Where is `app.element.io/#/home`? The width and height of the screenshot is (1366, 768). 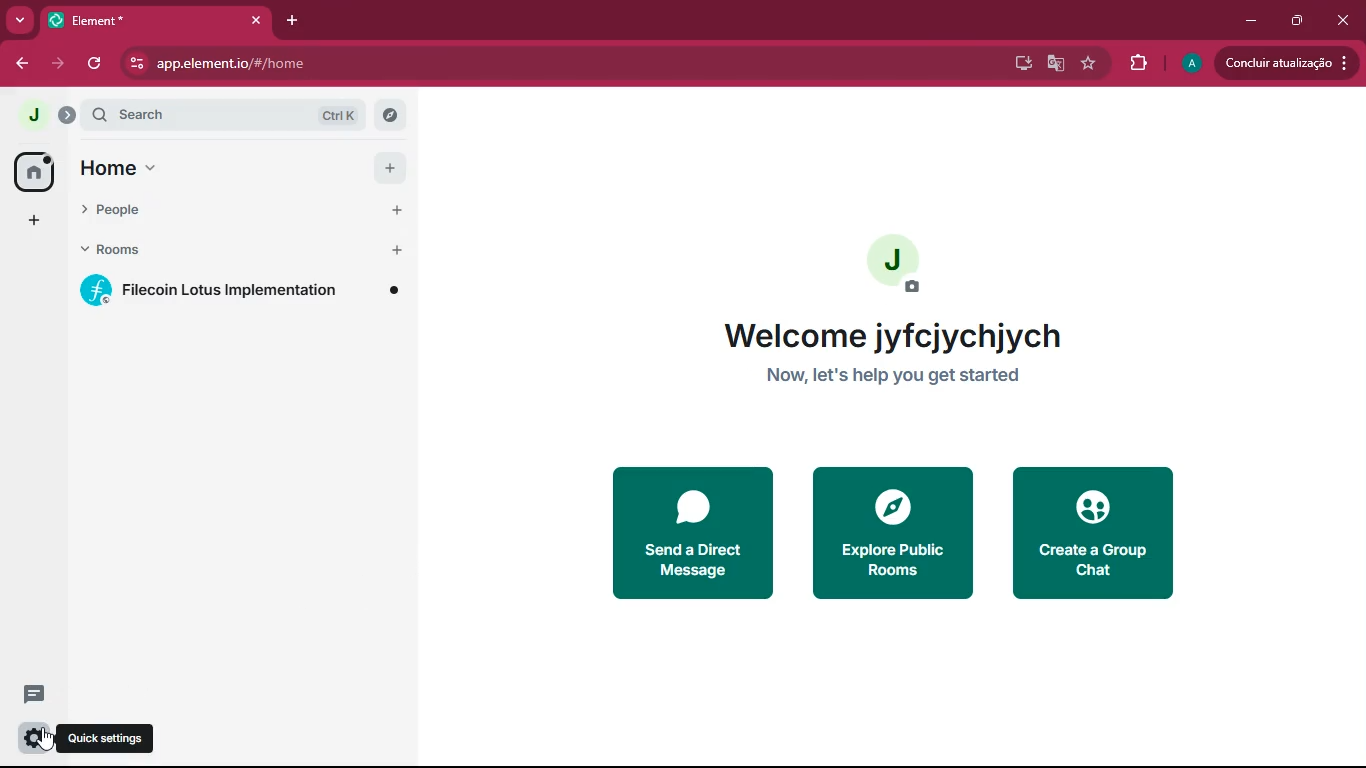
app.element.io/#/home is located at coordinates (328, 64).